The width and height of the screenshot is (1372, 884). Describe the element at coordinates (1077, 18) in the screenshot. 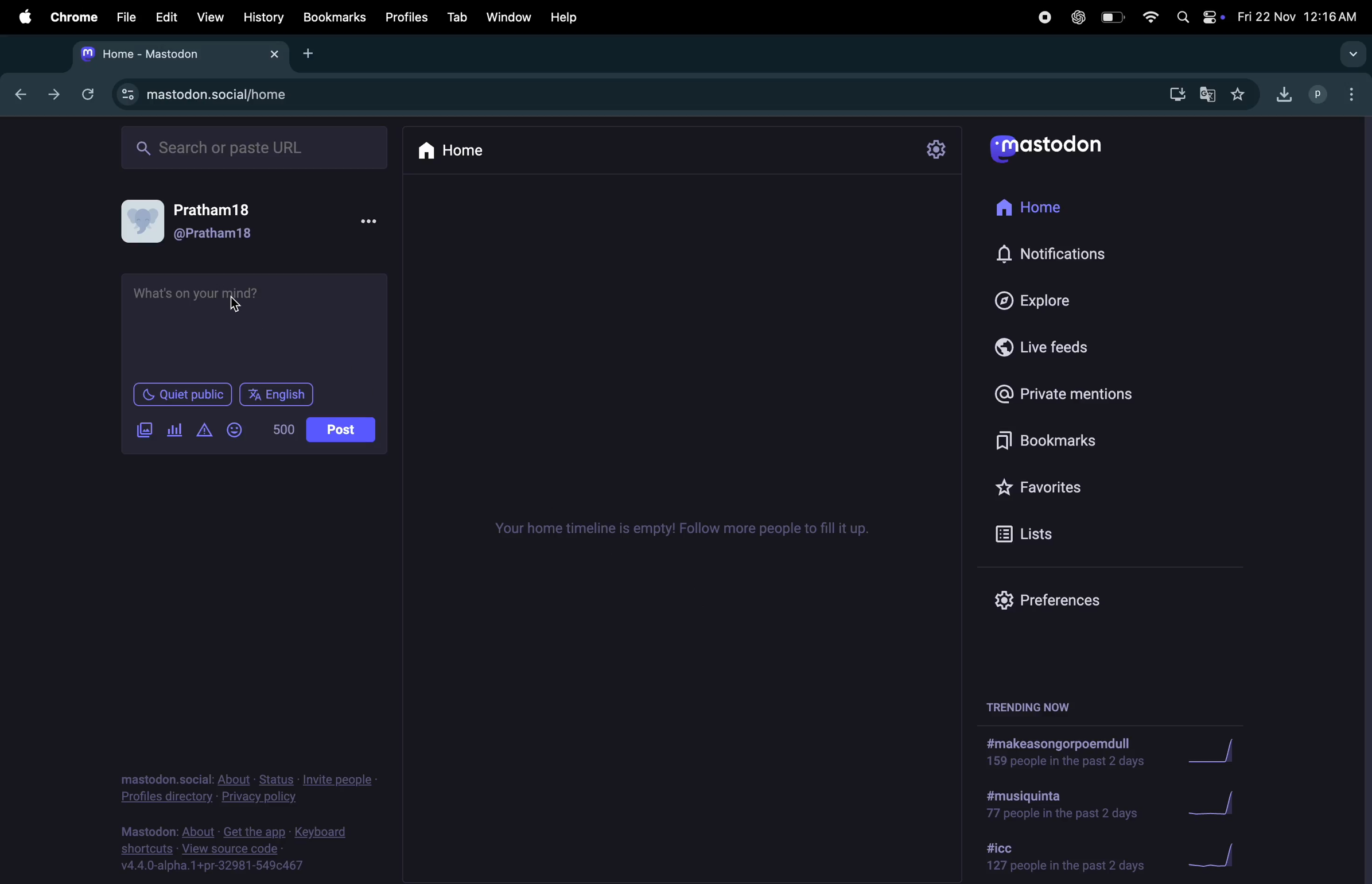

I see `chatgpt` at that location.